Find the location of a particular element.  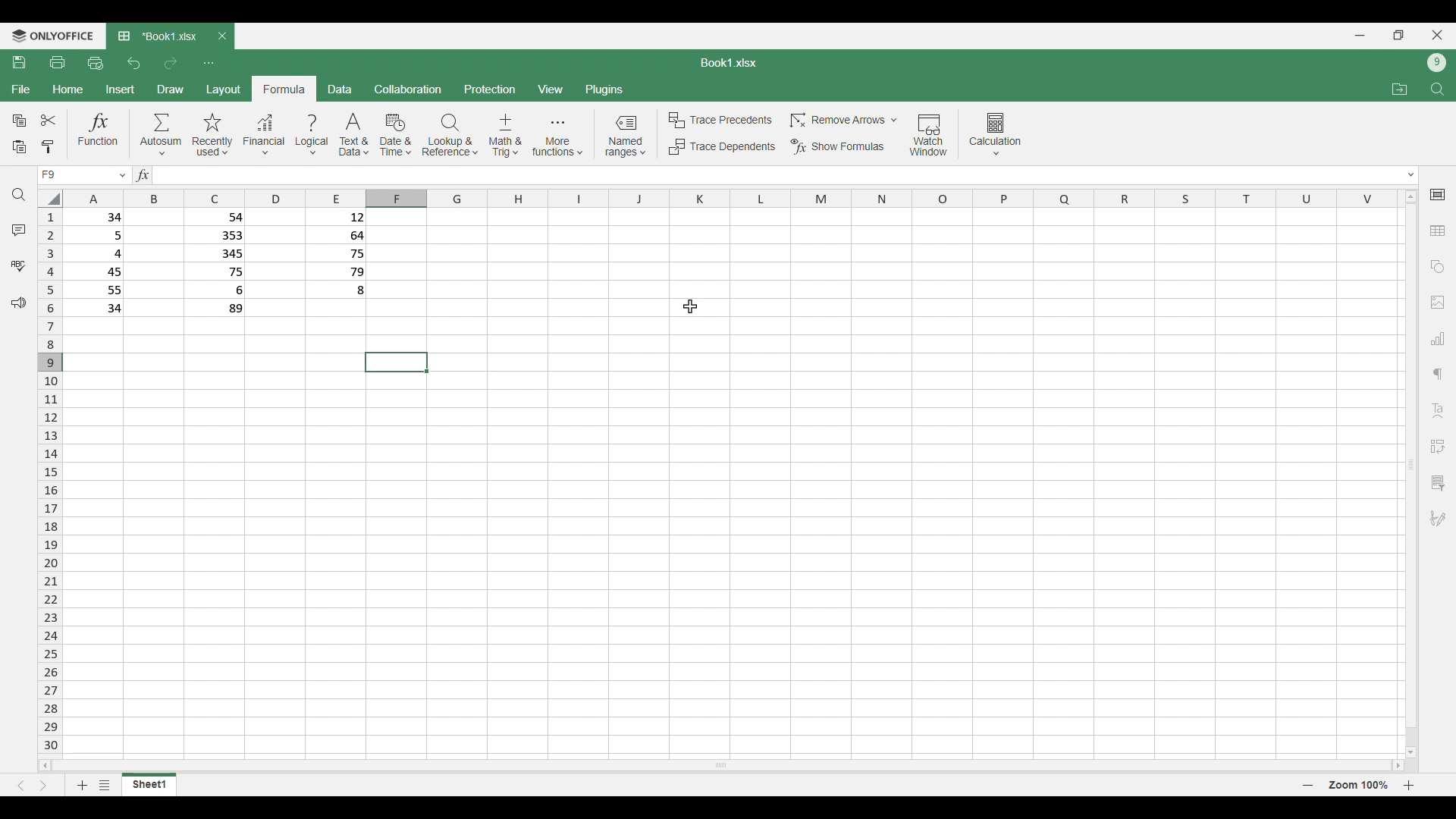

Close interface is located at coordinates (1438, 35).